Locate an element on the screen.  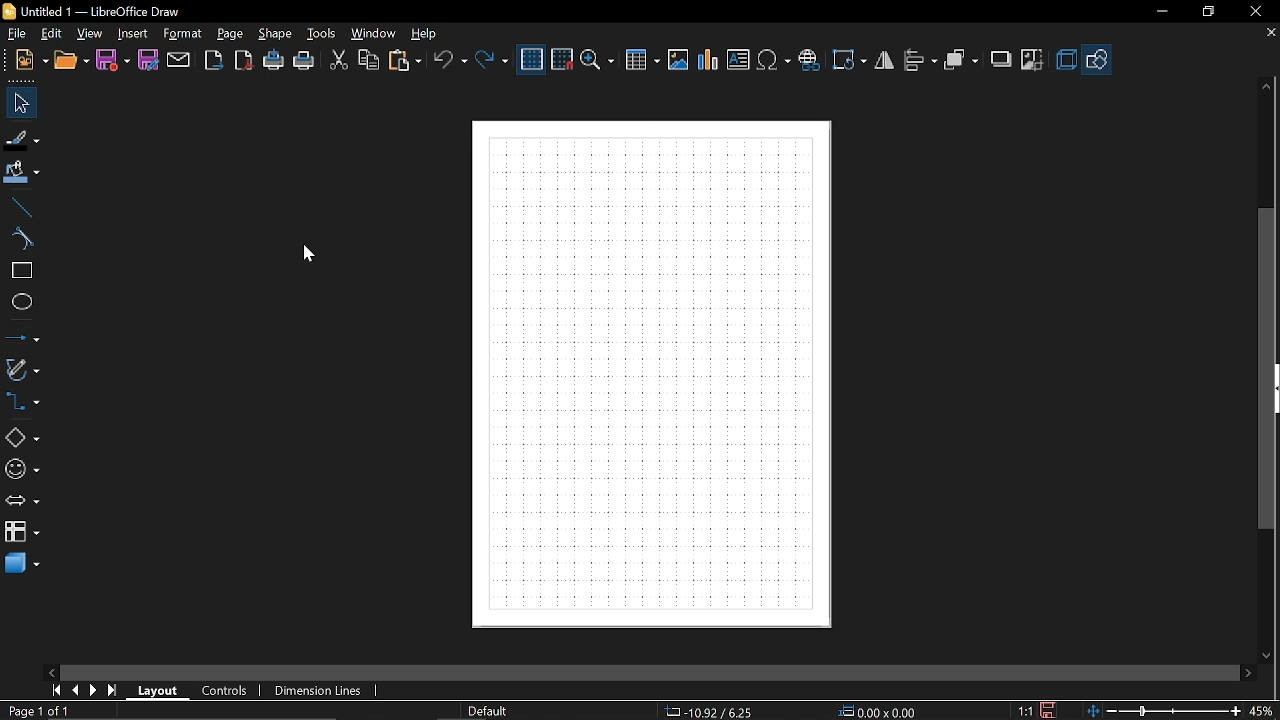
flowchart is located at coordinates (22, 531).